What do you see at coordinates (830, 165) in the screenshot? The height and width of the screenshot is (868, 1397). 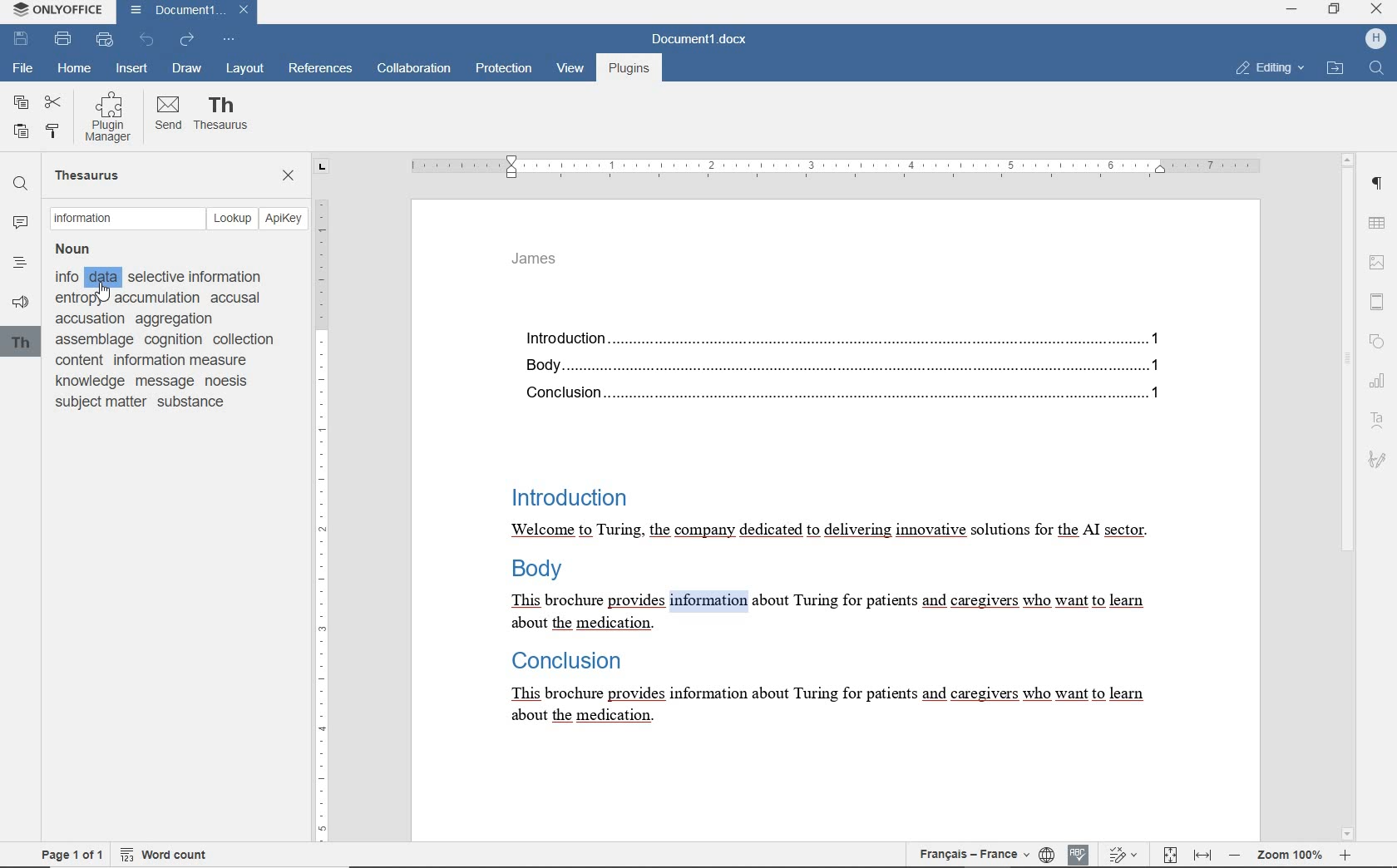 I see `RULER` at bounding box center [830, 165].